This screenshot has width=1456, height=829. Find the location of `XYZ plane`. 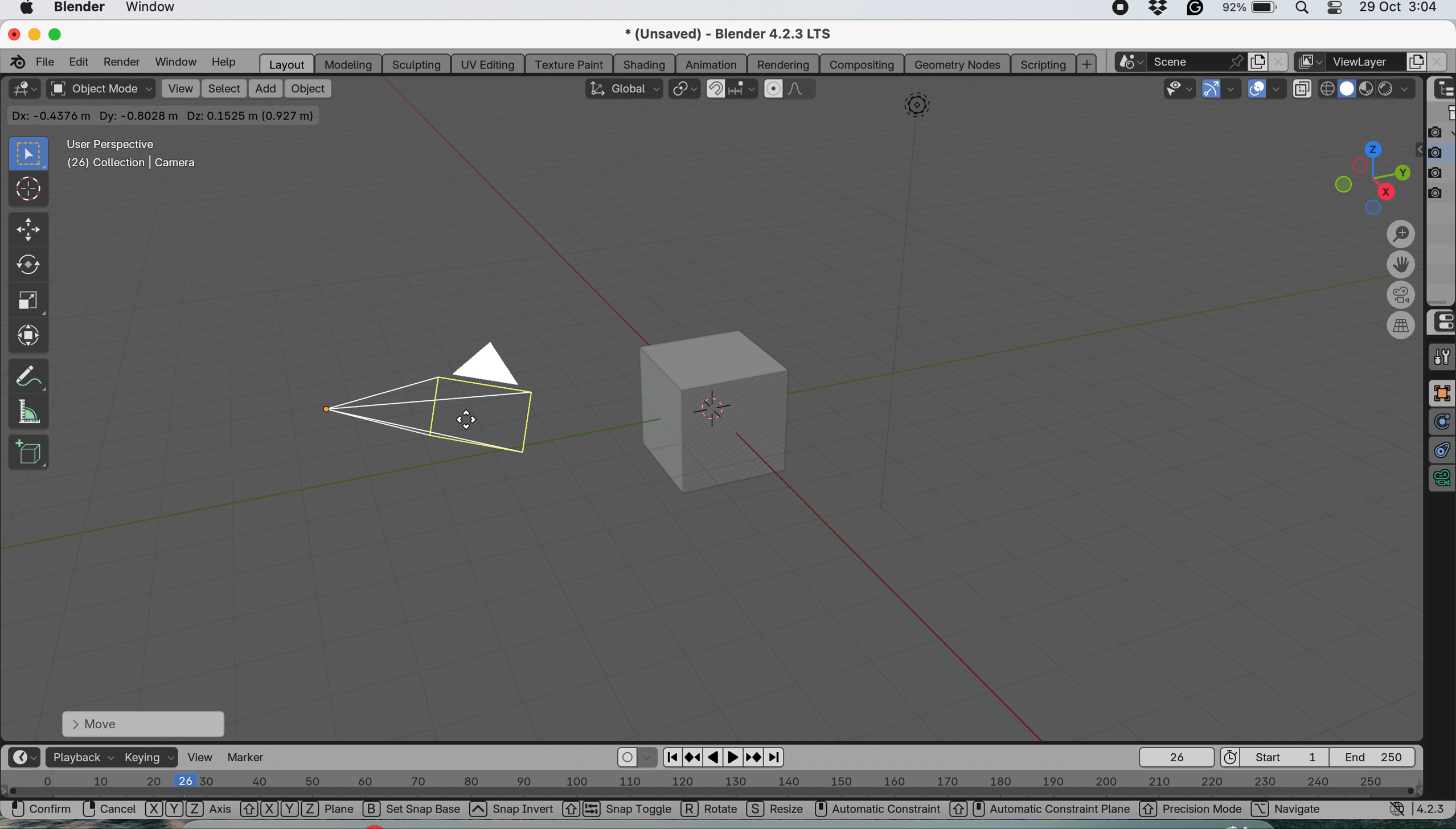

XYZ plane is located at coordinates (297, 810).